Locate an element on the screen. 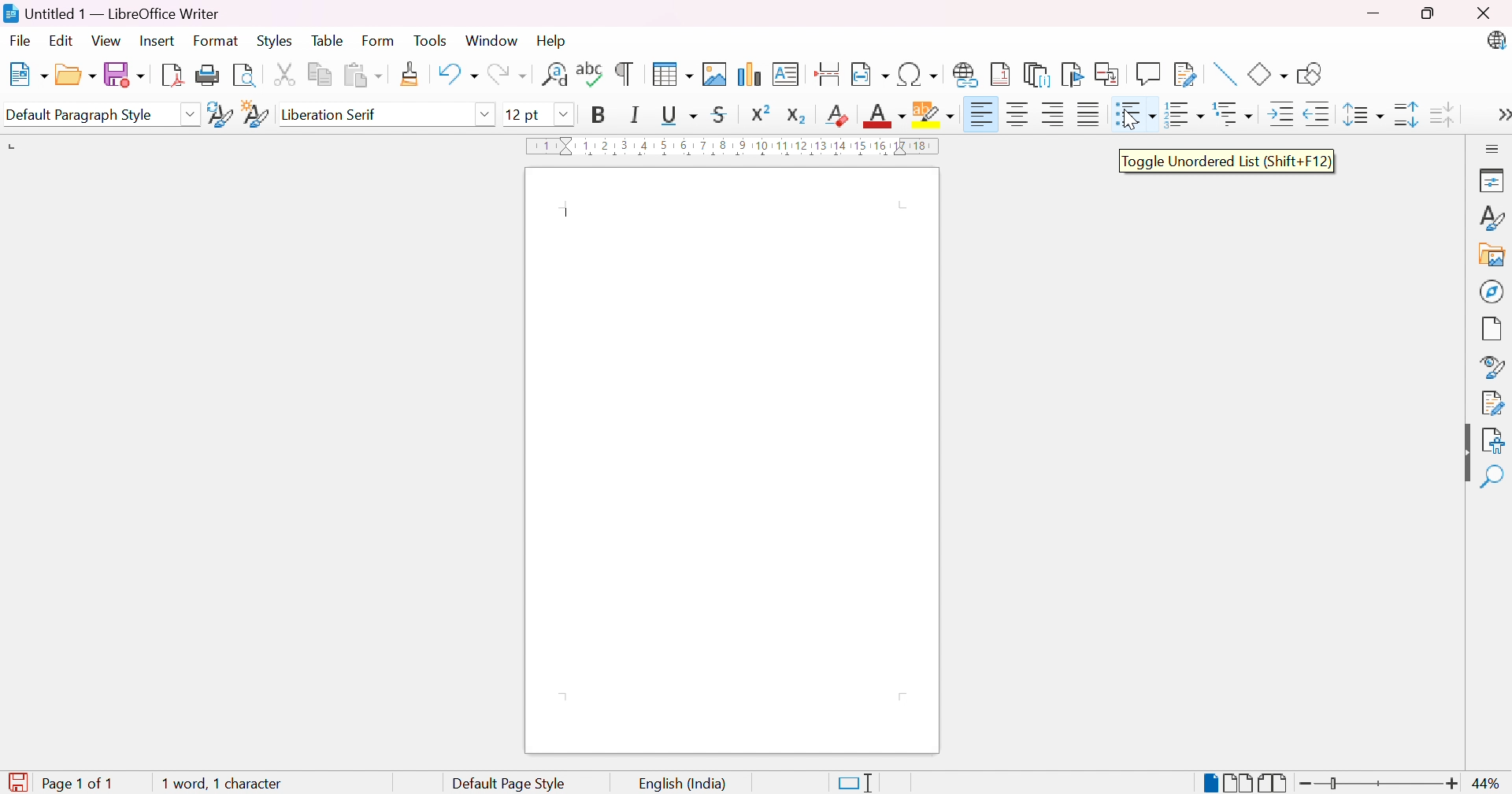 The width and height of the screenshot is (1512, 794). 44% is located at coordinates (1490, 785).